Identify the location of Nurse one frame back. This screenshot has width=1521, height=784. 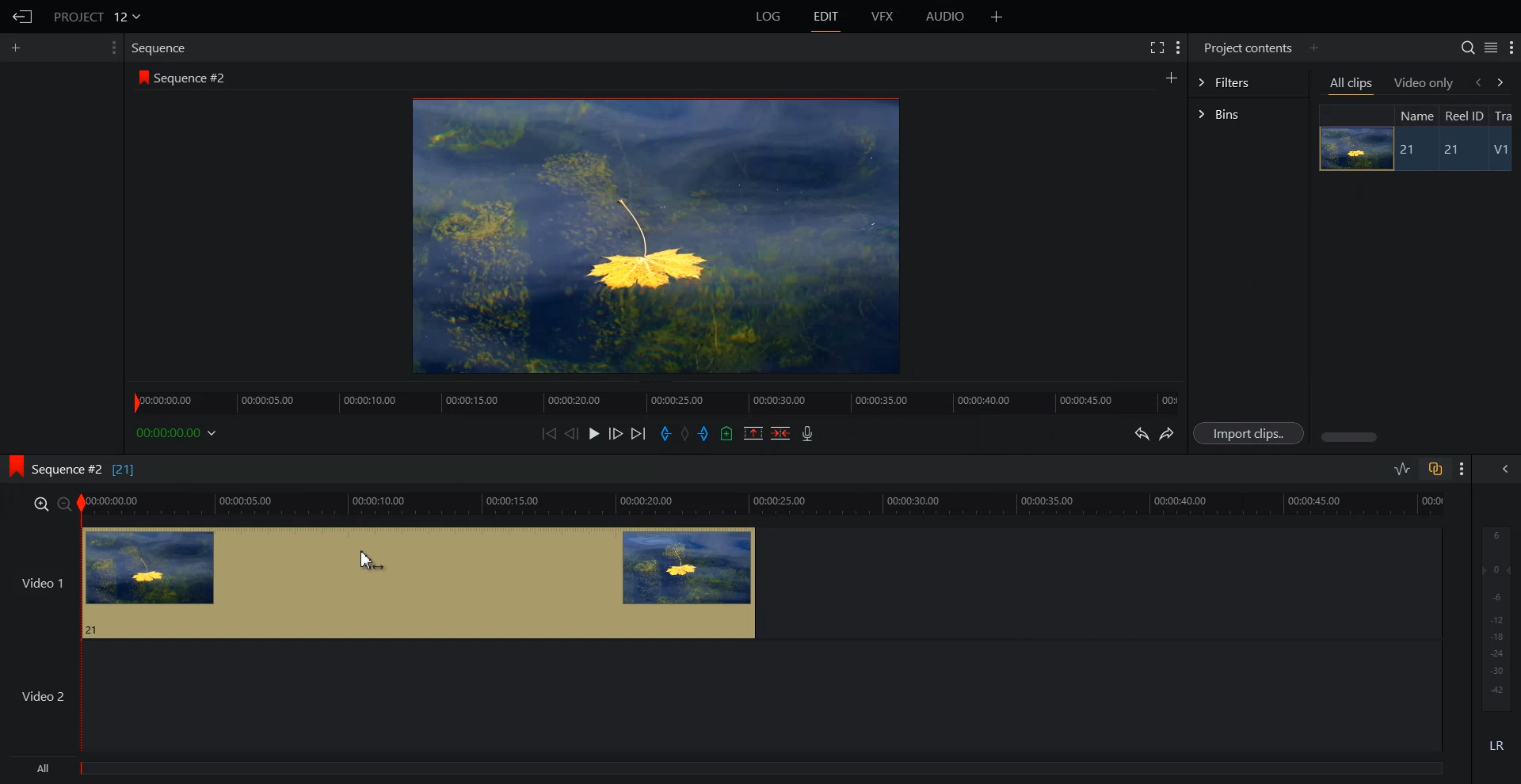
(572, 433).